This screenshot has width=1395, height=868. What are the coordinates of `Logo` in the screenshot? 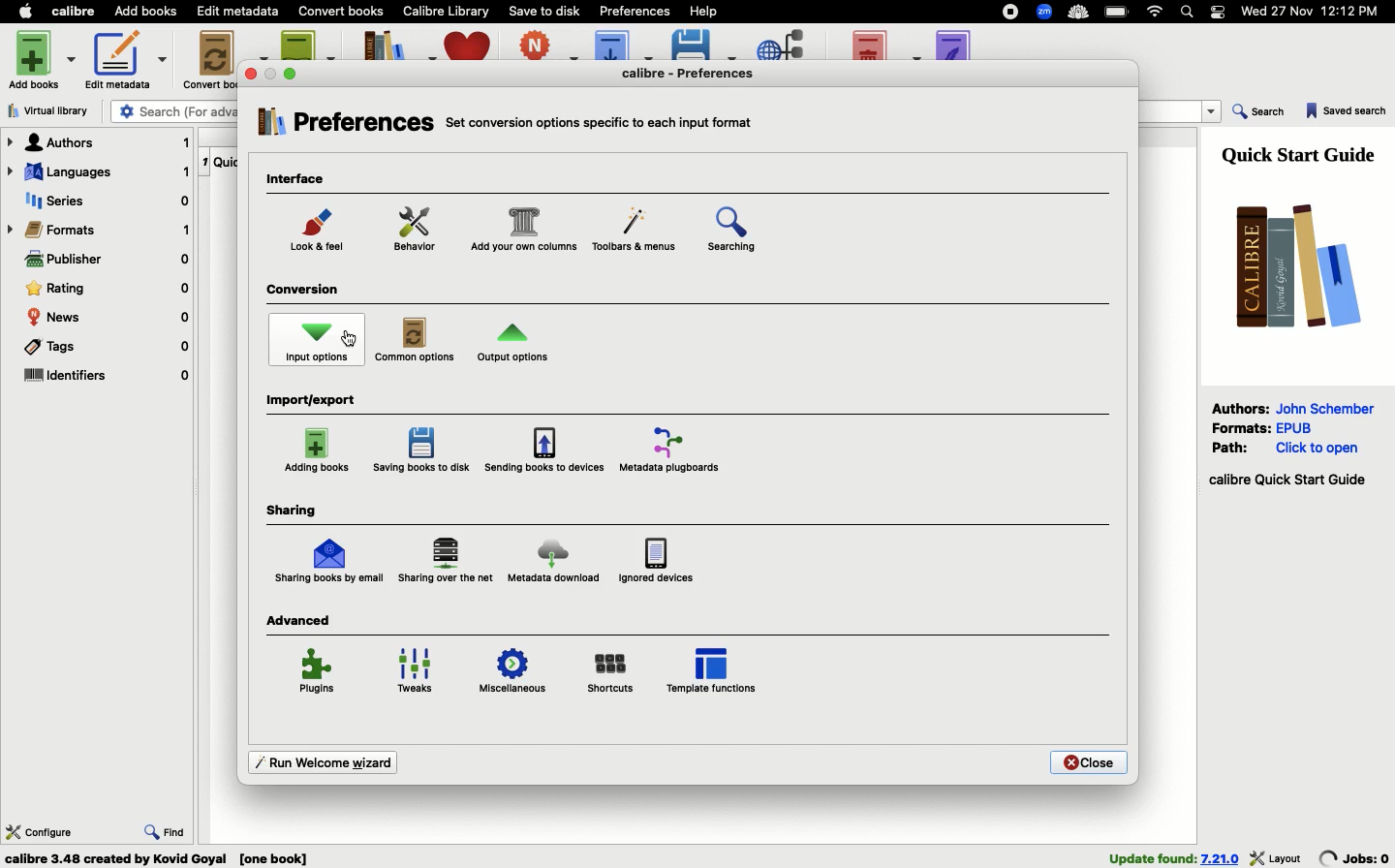 It's located at (1291, 264).